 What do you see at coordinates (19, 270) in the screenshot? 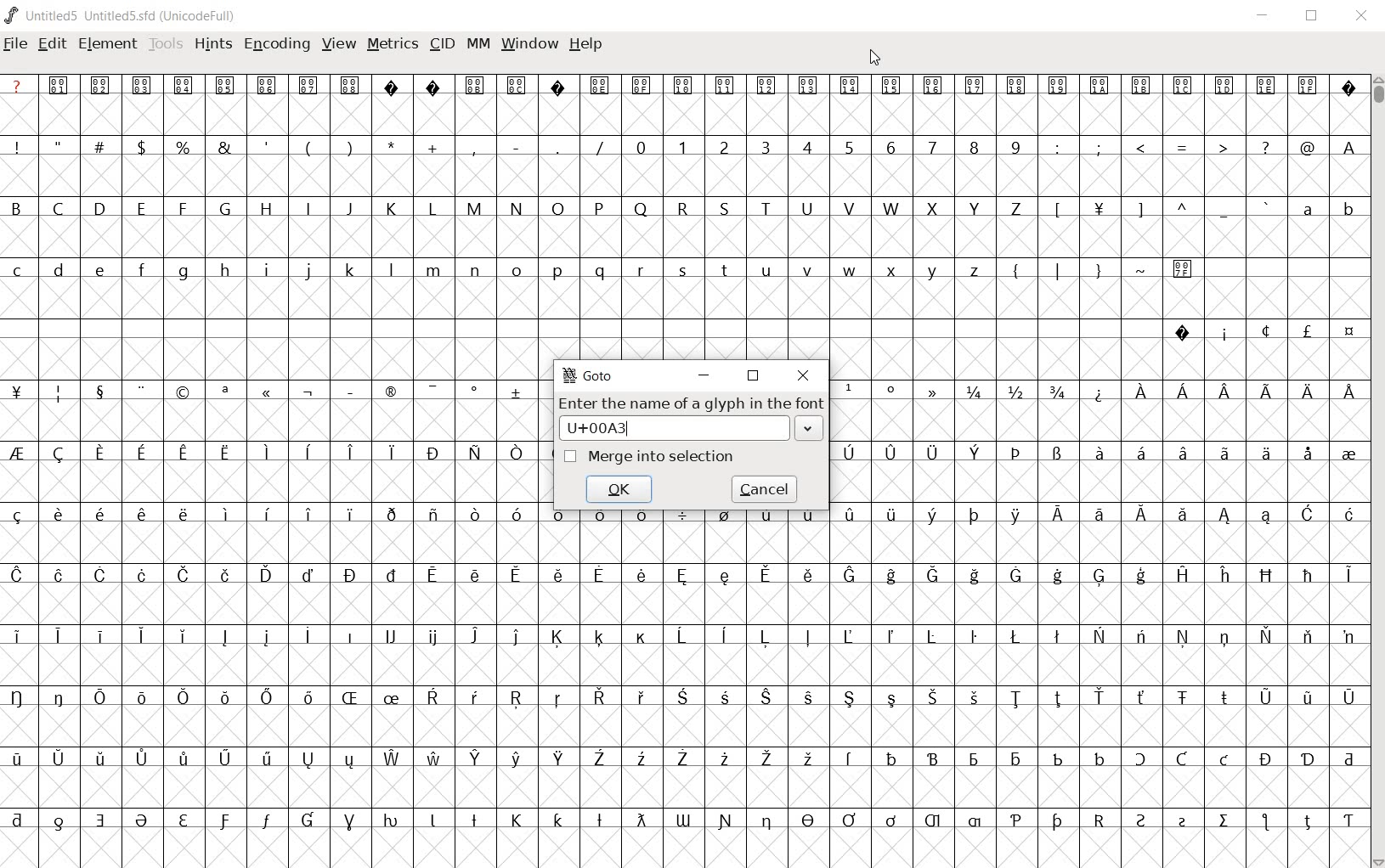
I see `c` at bounding box center [19, 270].